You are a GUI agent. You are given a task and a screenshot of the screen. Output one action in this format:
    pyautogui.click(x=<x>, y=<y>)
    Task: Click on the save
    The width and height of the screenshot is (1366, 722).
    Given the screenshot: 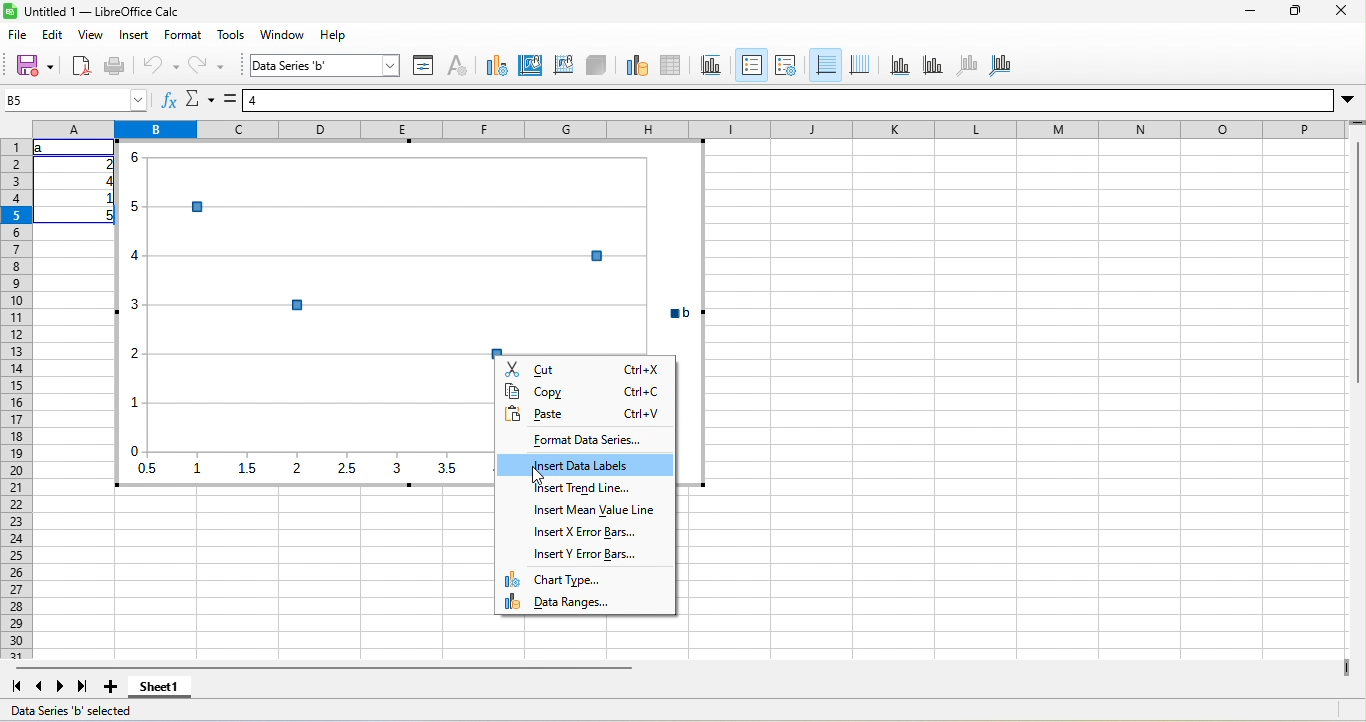 What is the action you would take?
    pyautogui.click(x=34, y=66)
    